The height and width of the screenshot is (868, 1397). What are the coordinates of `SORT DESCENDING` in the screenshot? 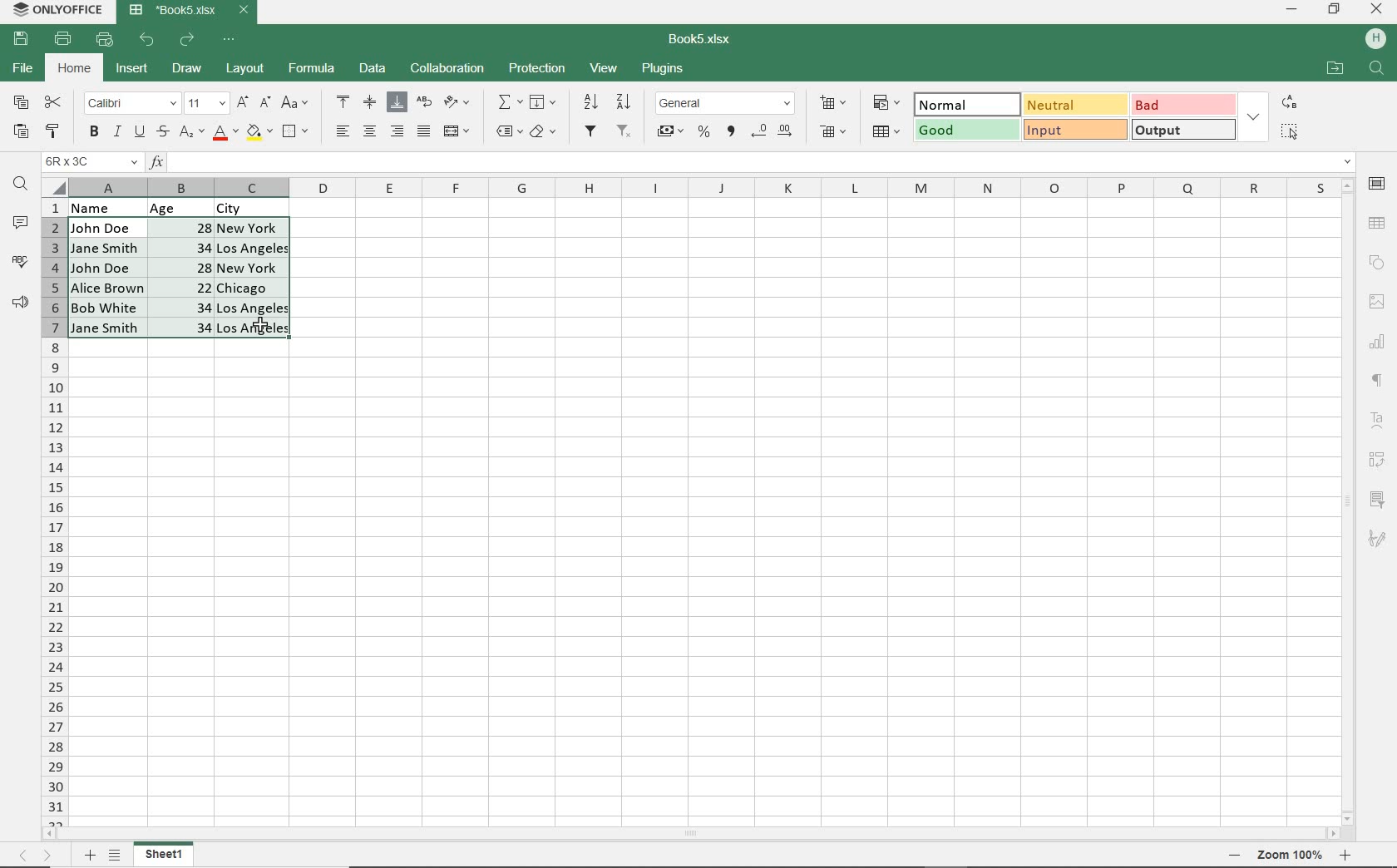 It's located at (625, 101).